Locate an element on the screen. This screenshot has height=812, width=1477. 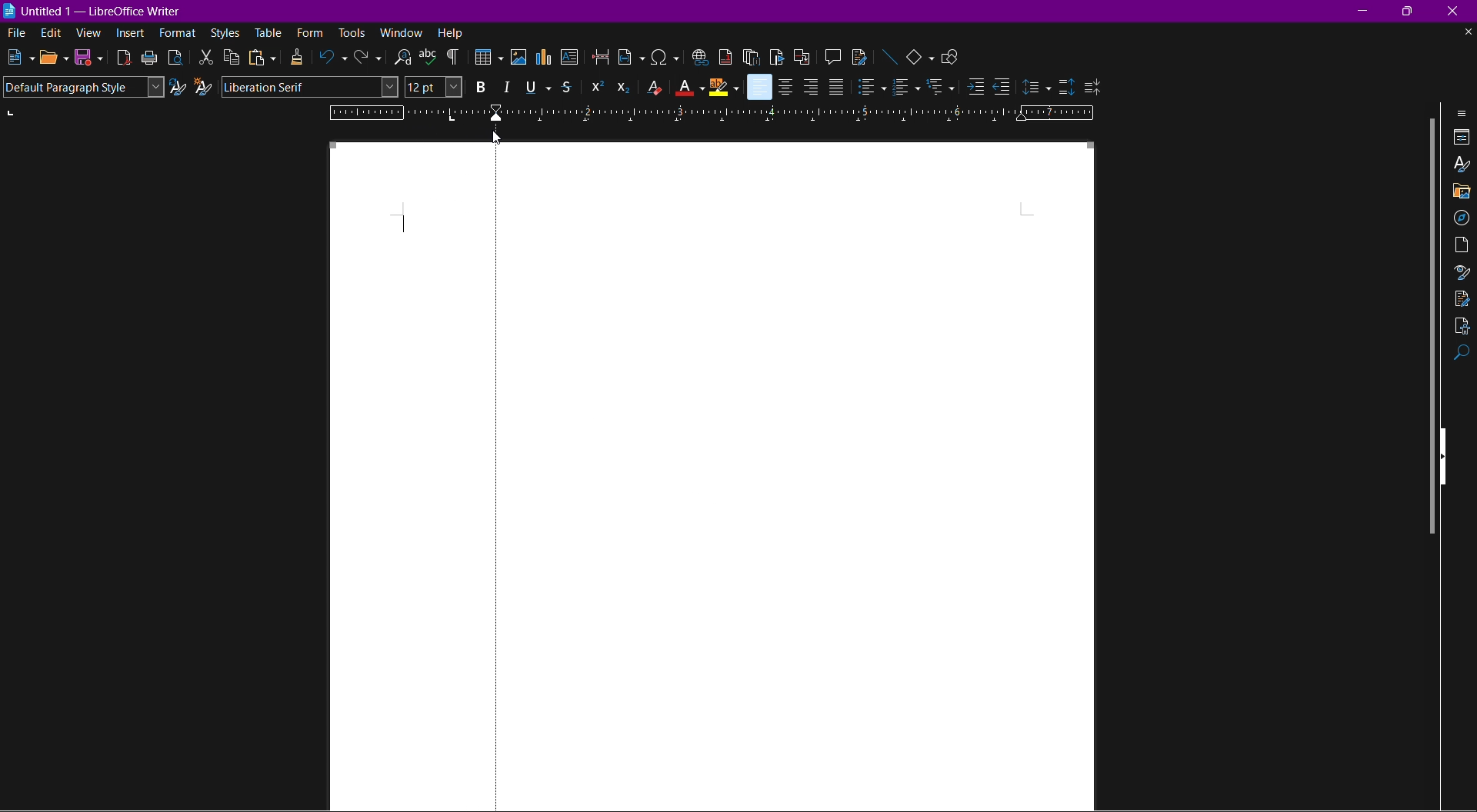
Insert link is located at coordinates (698, 55).